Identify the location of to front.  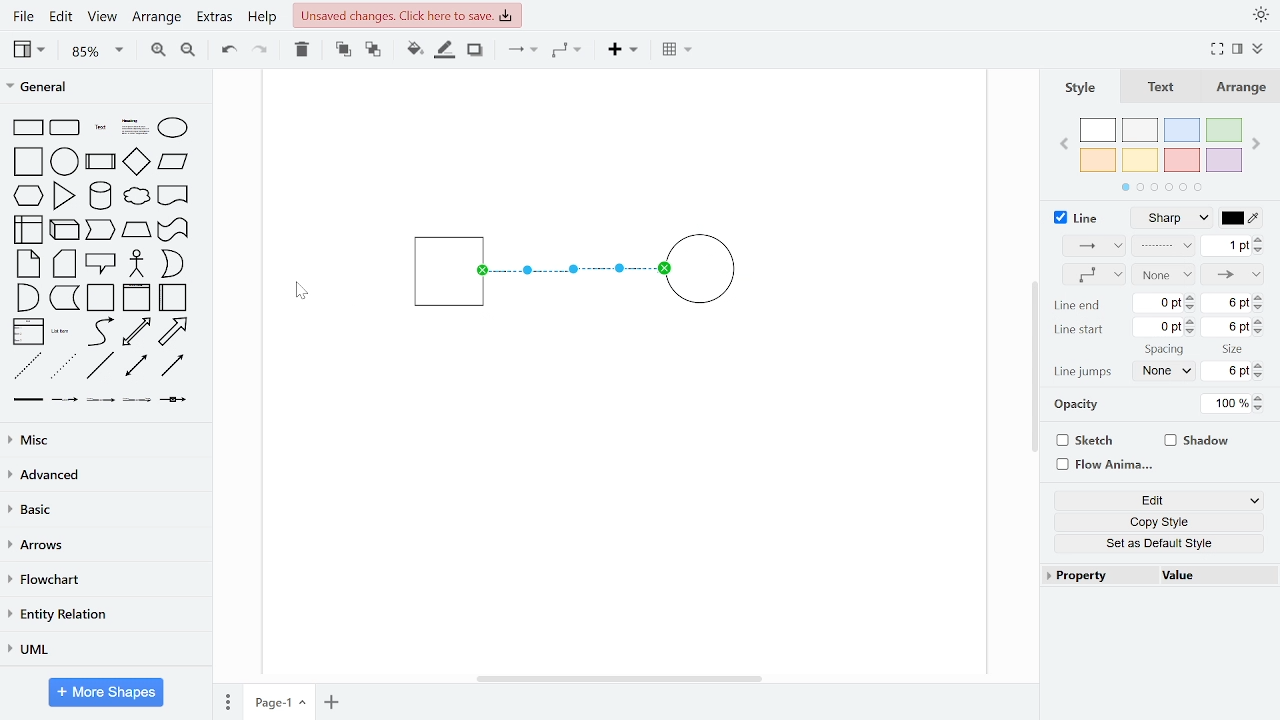
(343, 50).